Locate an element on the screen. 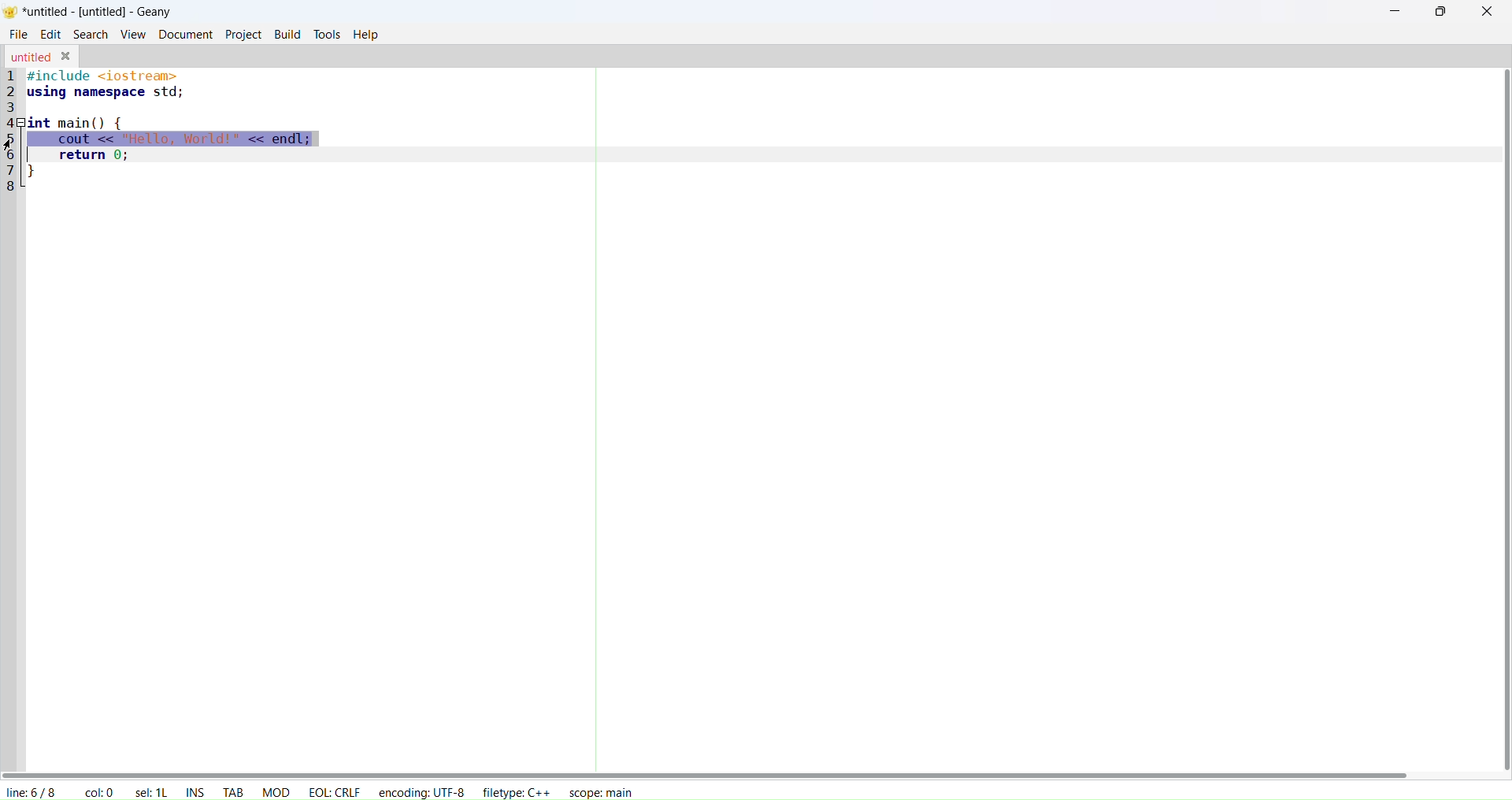 This screenshot has height=800, width=1512. encoding: UTF-8 is located at coordinates (421, 793).